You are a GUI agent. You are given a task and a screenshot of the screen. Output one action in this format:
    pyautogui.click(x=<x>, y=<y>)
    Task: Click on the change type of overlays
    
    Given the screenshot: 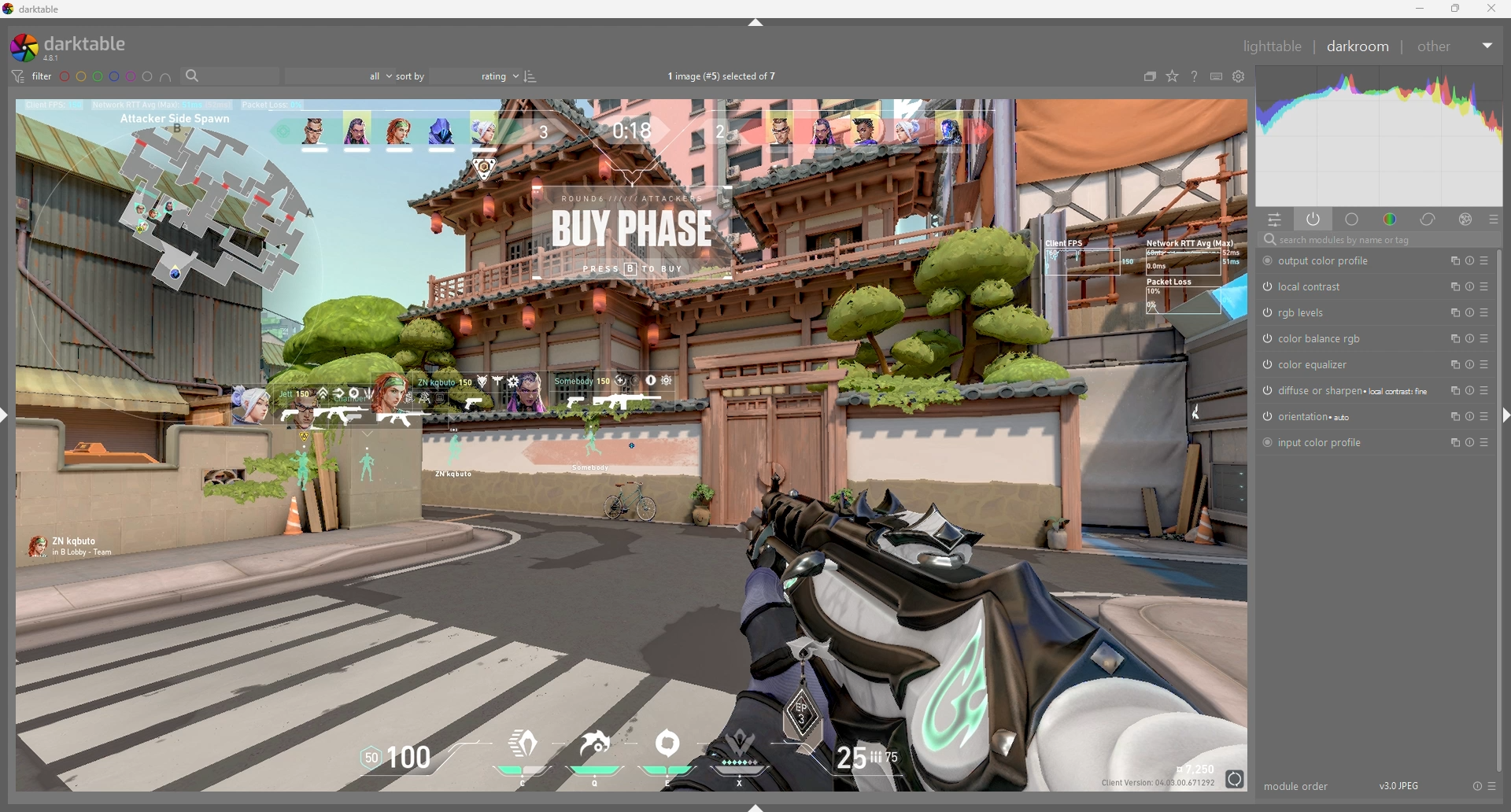 What is the action you would take?
    pyautogui.click(x=1173, y=76)
    